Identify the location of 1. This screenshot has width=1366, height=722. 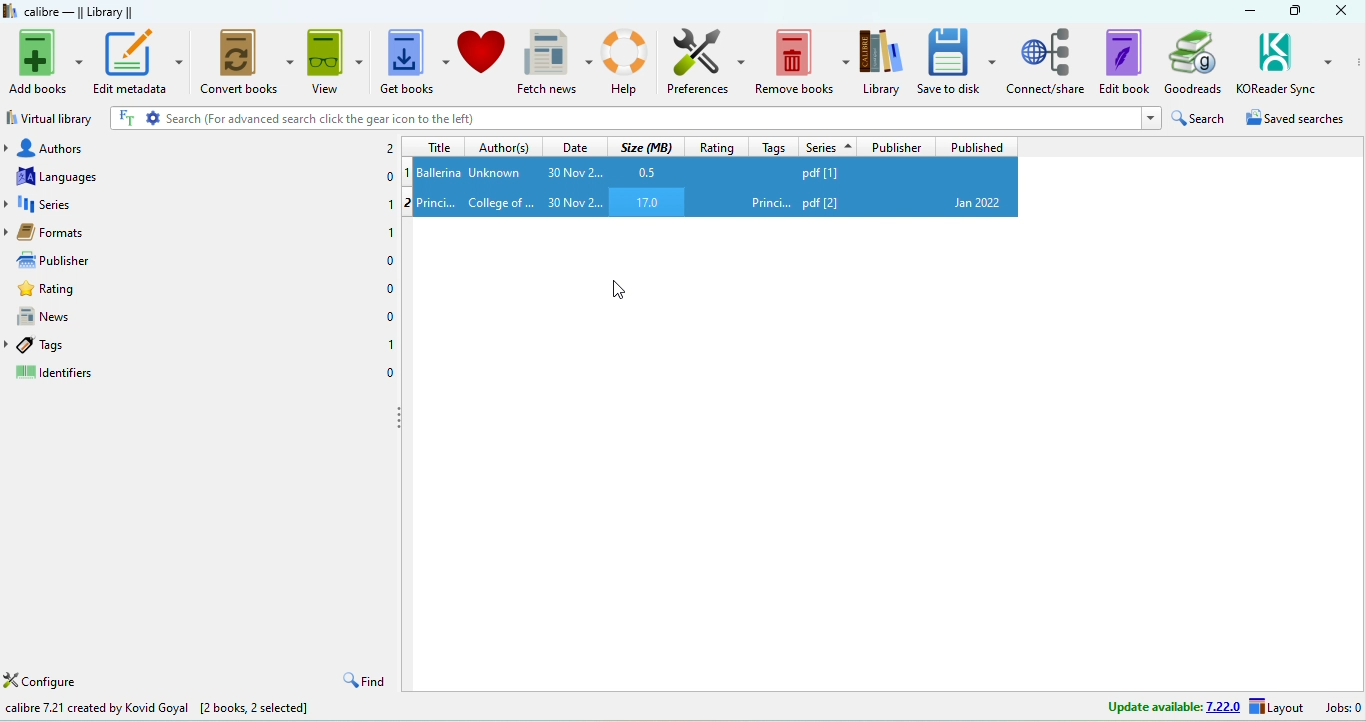
(390, 202).